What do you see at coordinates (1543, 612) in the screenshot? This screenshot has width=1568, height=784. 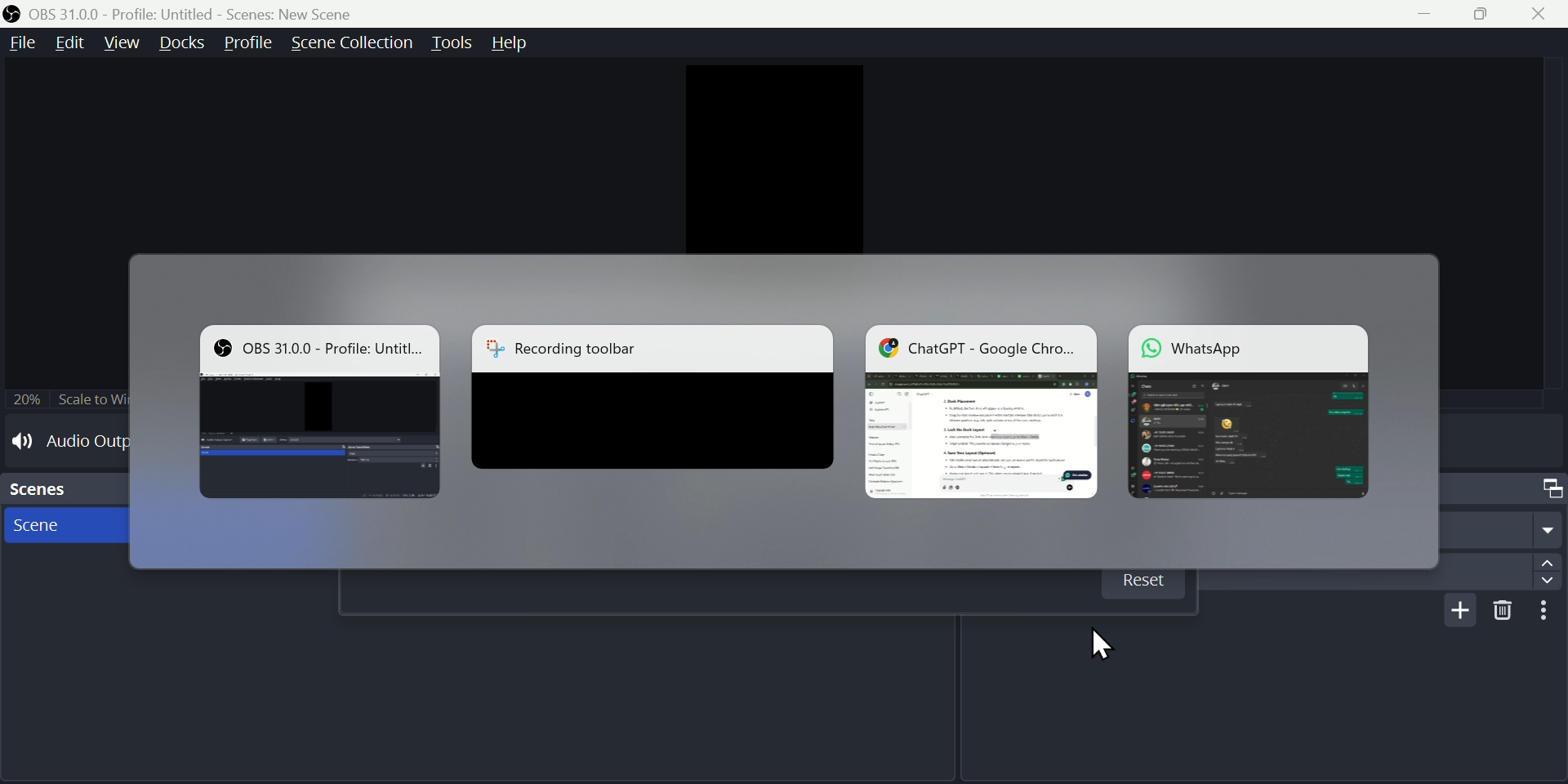 I see `more options` at bounding box center [1543, 612].